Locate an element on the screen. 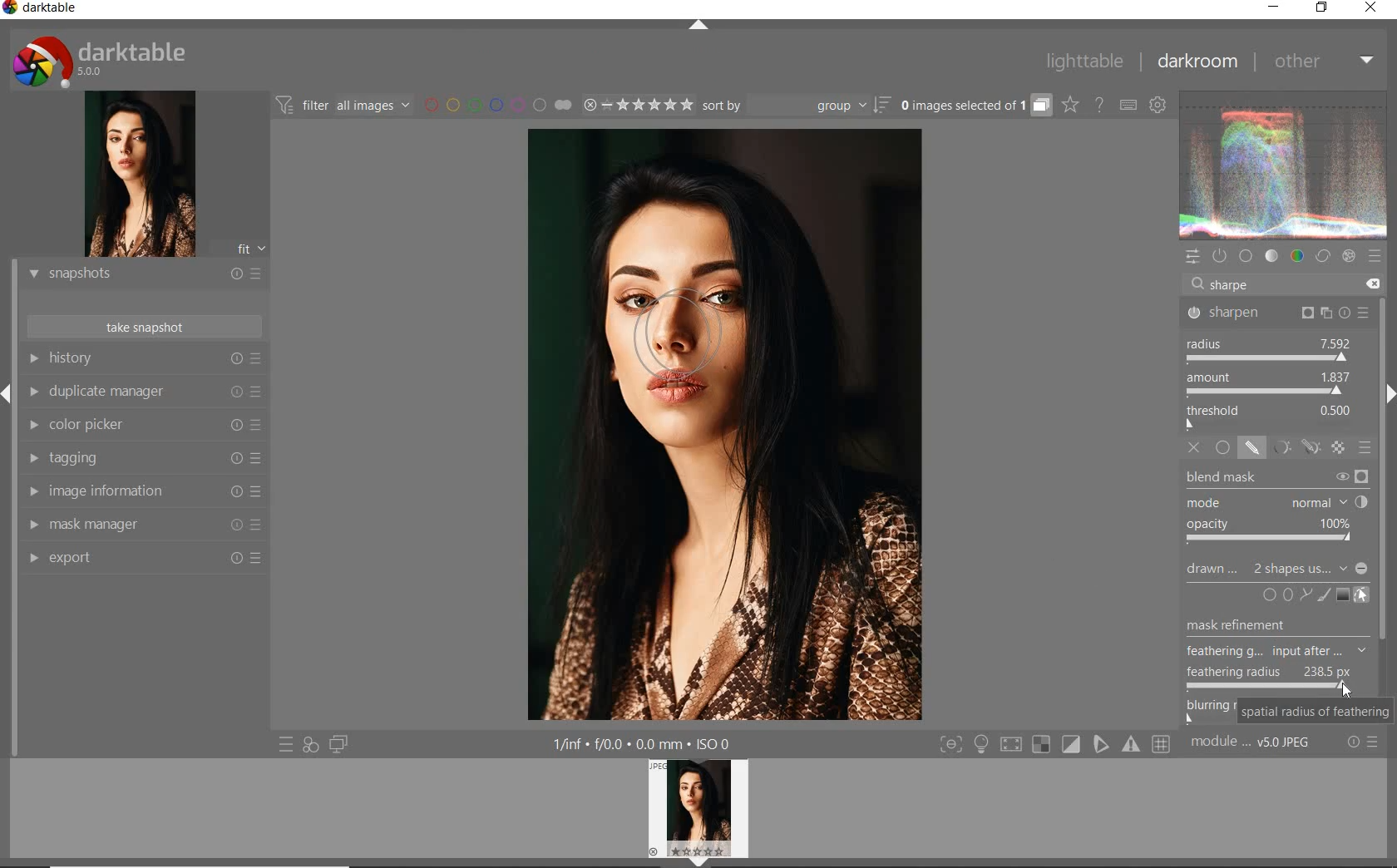 This screenshot has height=868, width=1397. set keyboard shortcuts is located at coordinates (1127, 106).